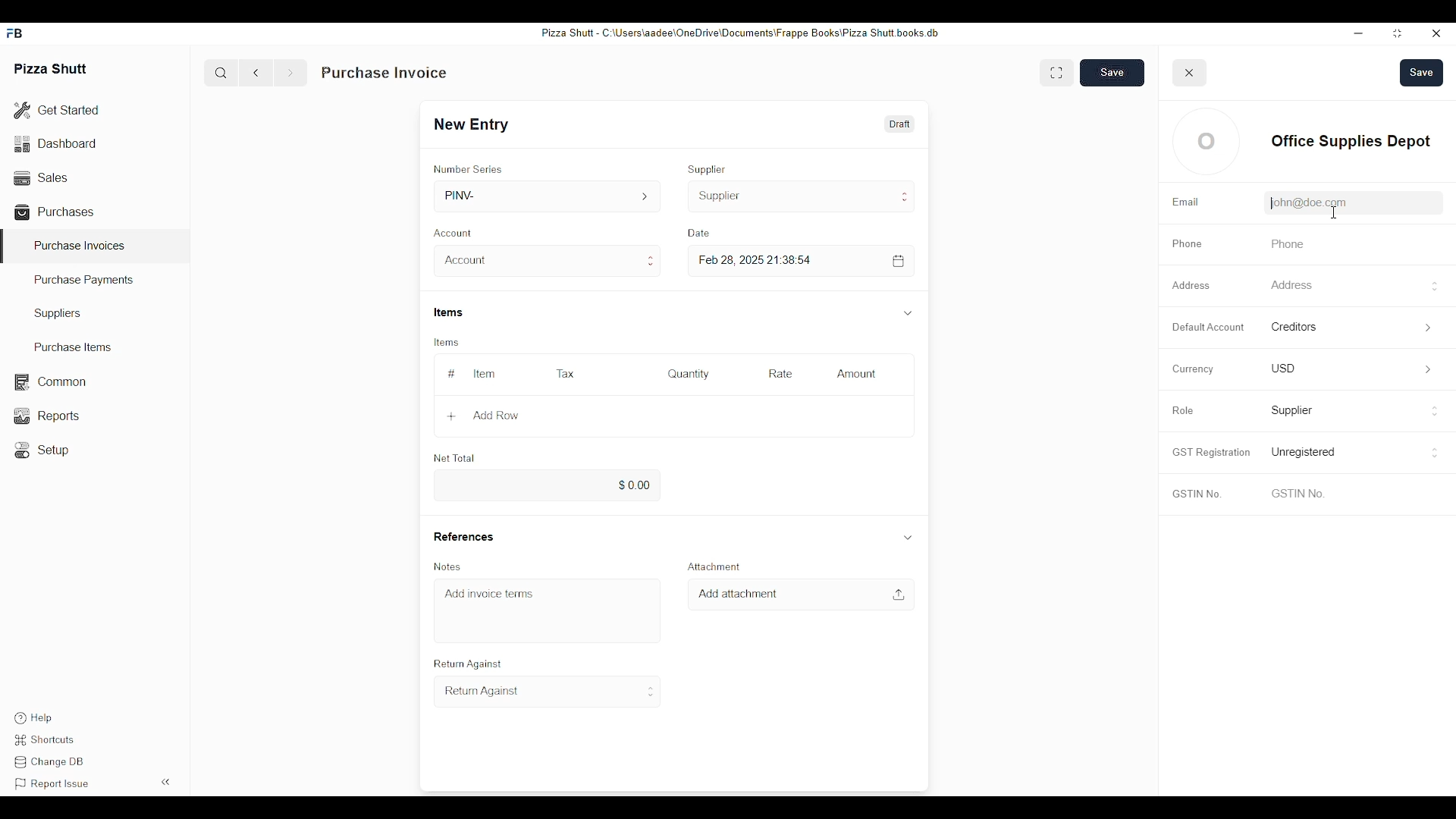  I want to click on Items, so click(450, 312).